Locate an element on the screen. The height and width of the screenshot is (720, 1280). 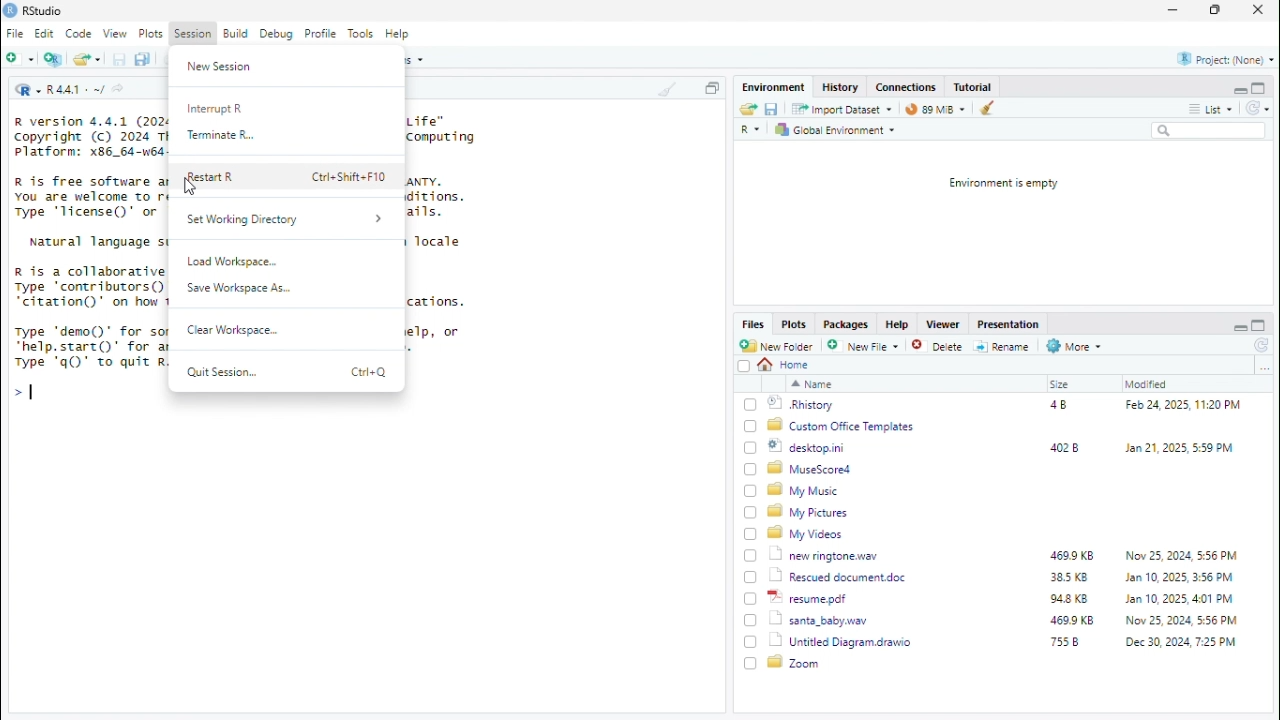
New file is located at coordinates (54, 58).